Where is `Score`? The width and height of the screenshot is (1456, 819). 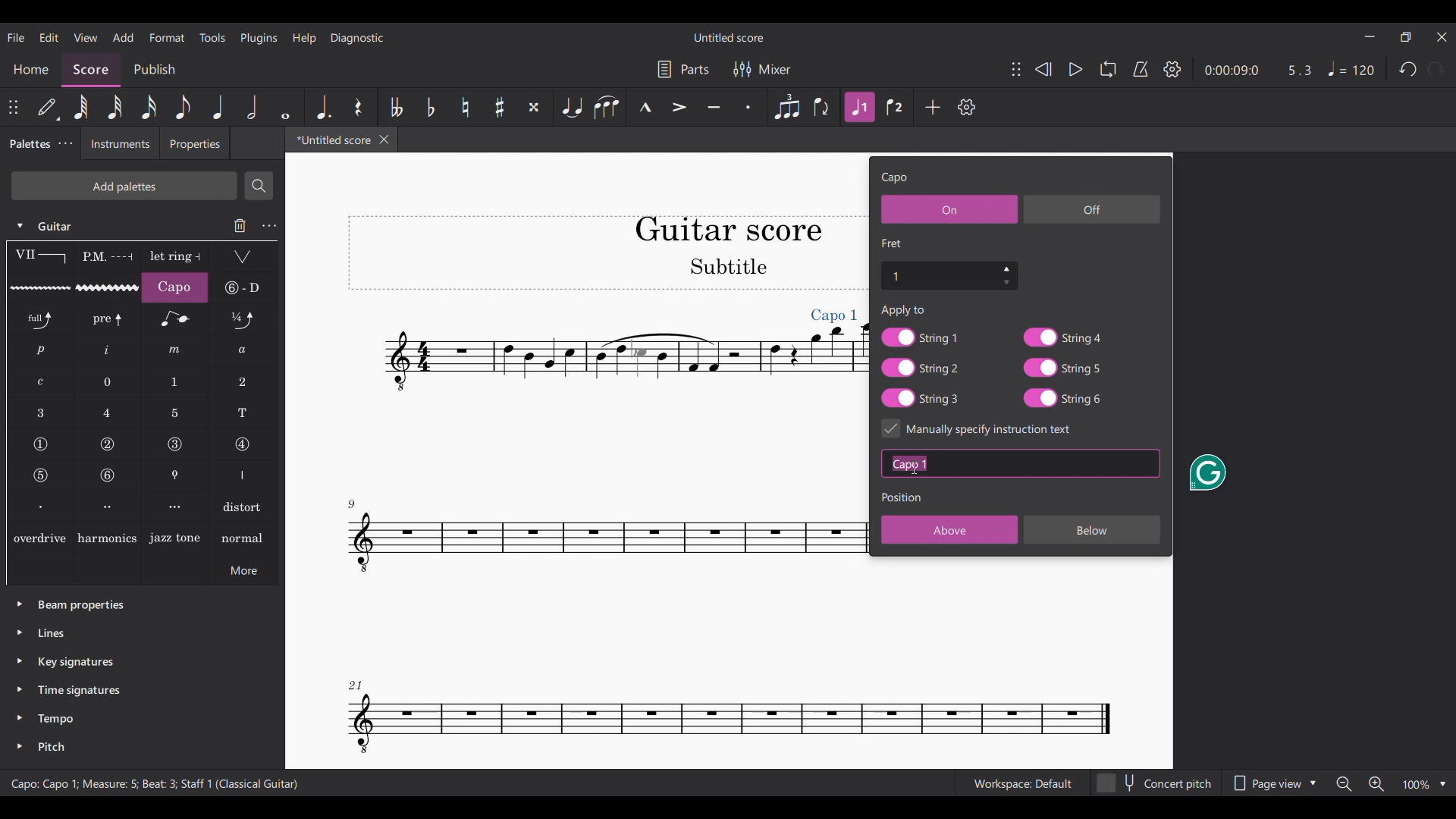 Score is located at coordinates (92, 70).